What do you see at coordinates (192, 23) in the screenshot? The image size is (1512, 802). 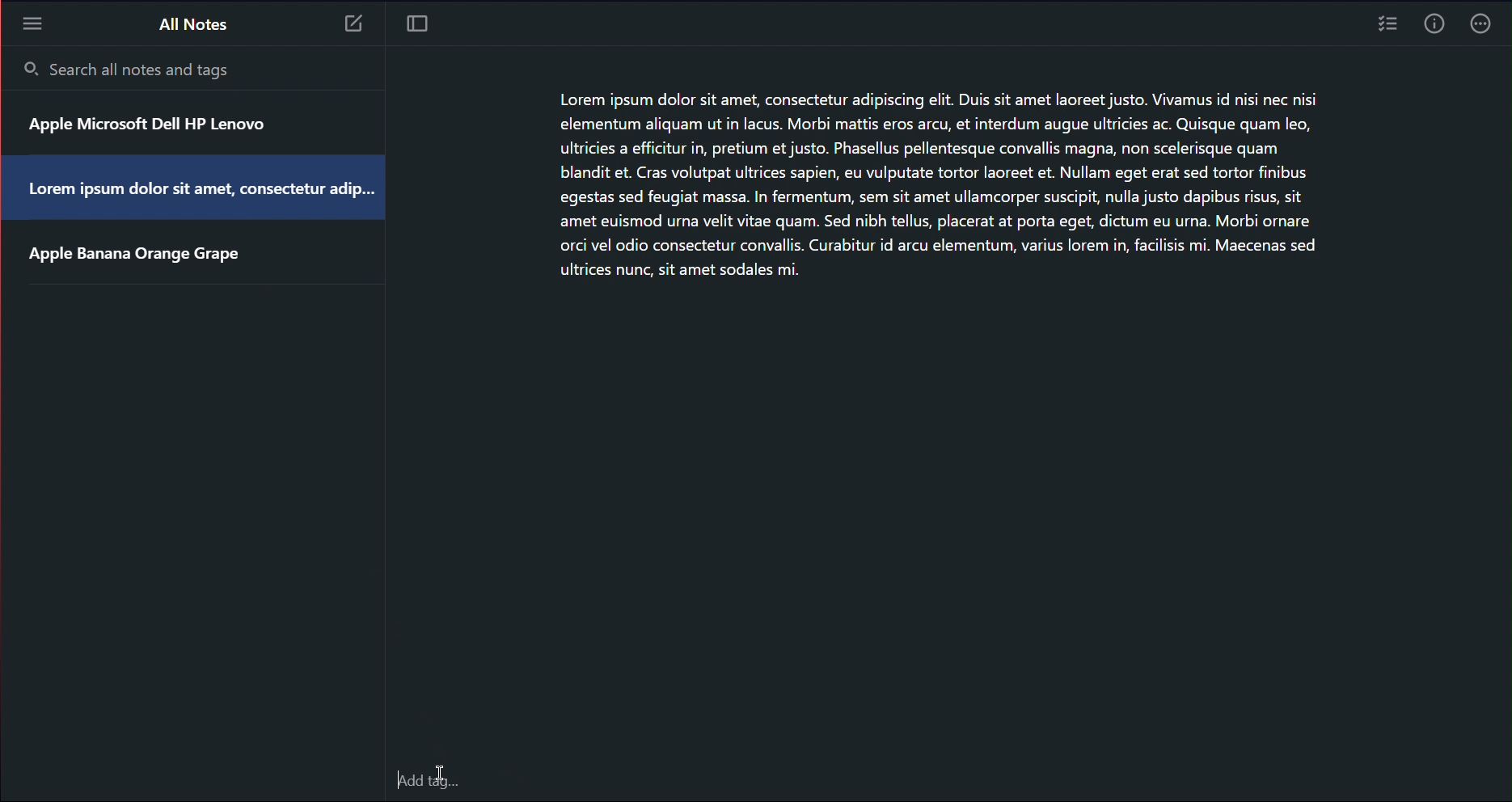 I see `All Notes` at bounding box center [192, 23].